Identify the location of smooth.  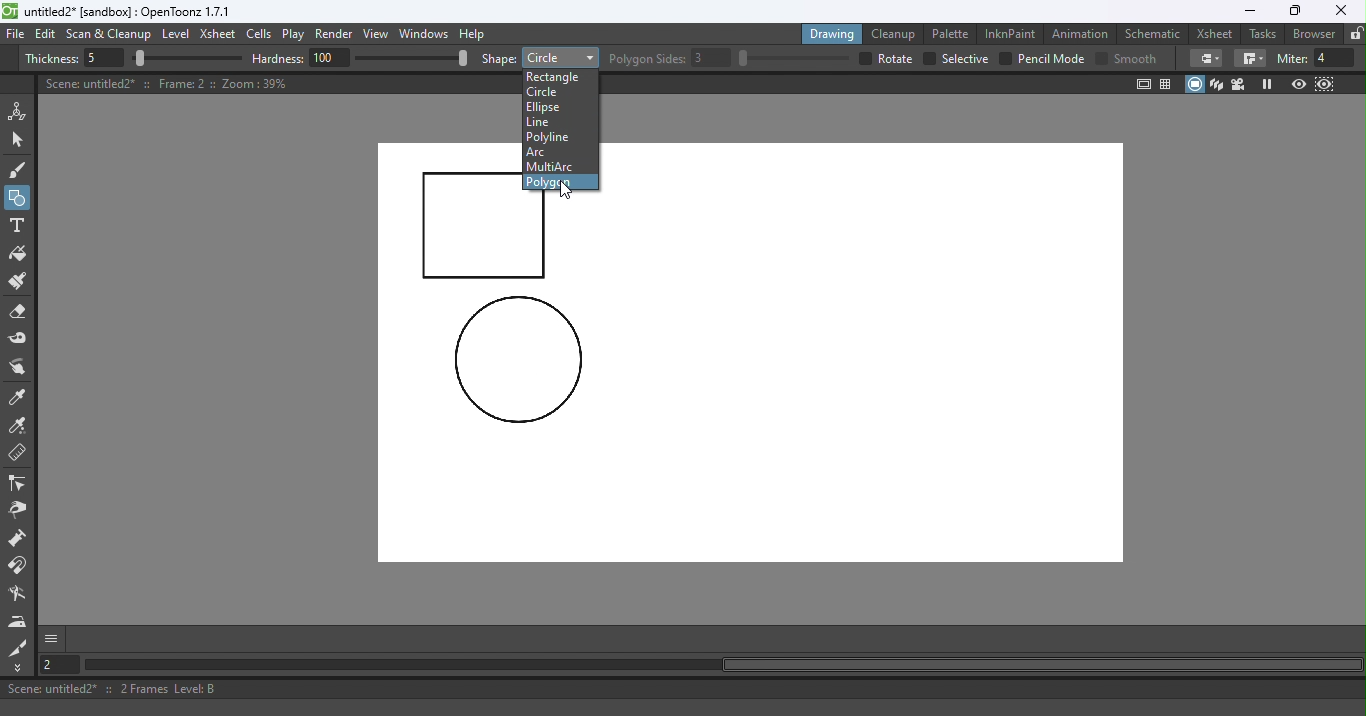
(1138, 58).